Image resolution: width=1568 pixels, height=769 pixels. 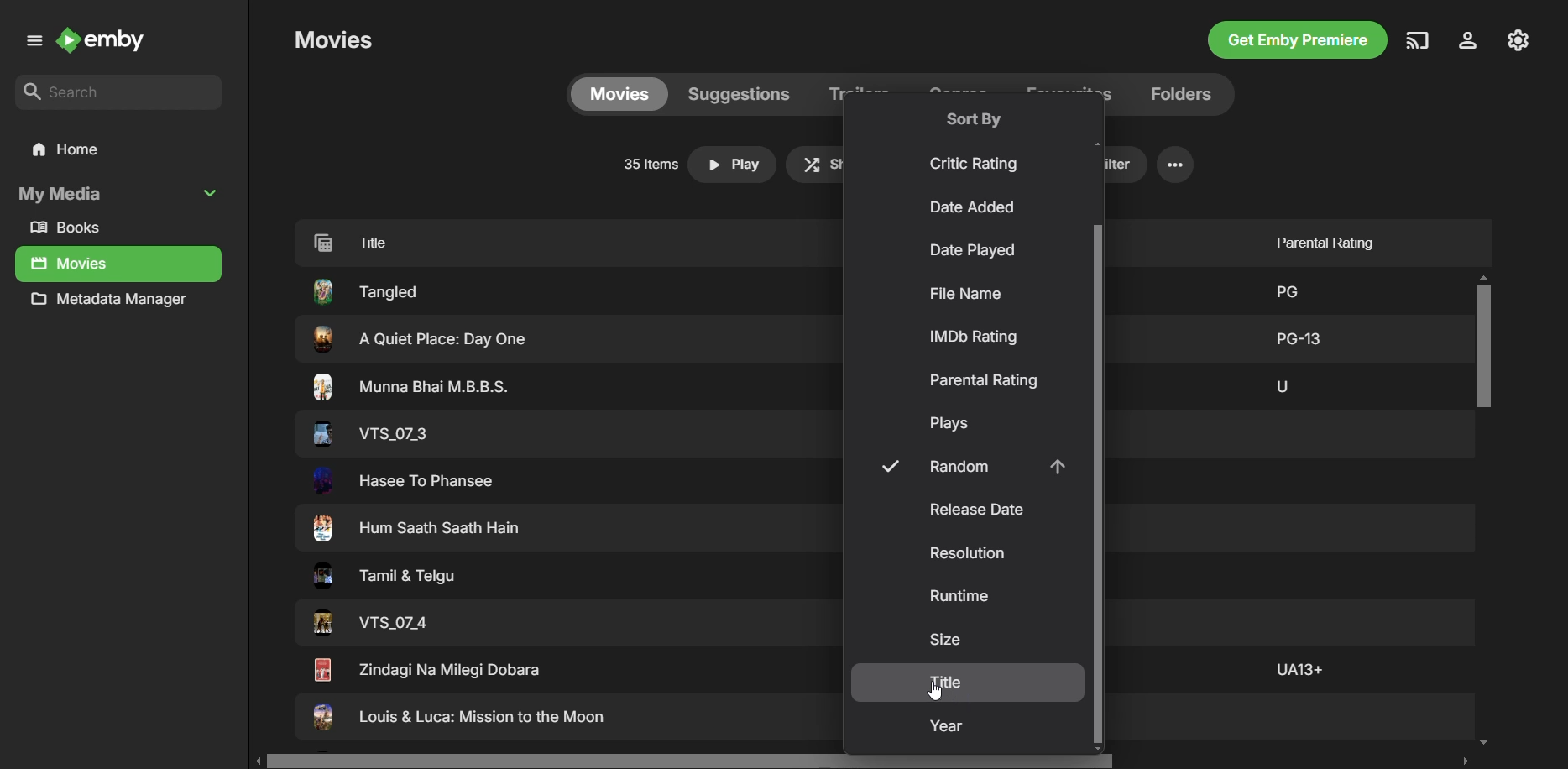 What do you see at coordinates (117, 150) in the screenshot?
I see `Home` at bounding box center [117, 150].